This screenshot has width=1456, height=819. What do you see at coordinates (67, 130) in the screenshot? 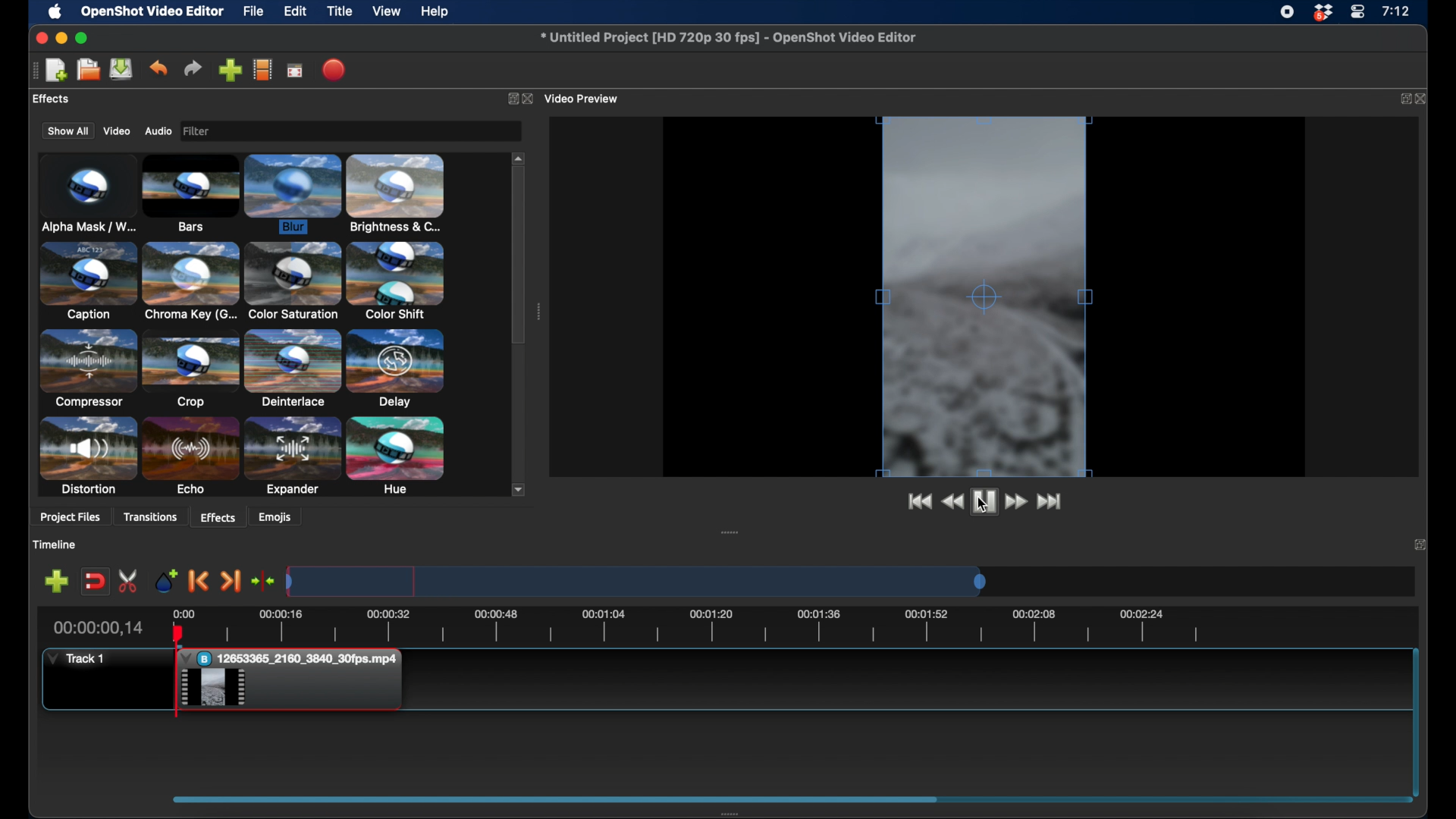
I see `show all` at bounding box center [67, 130].